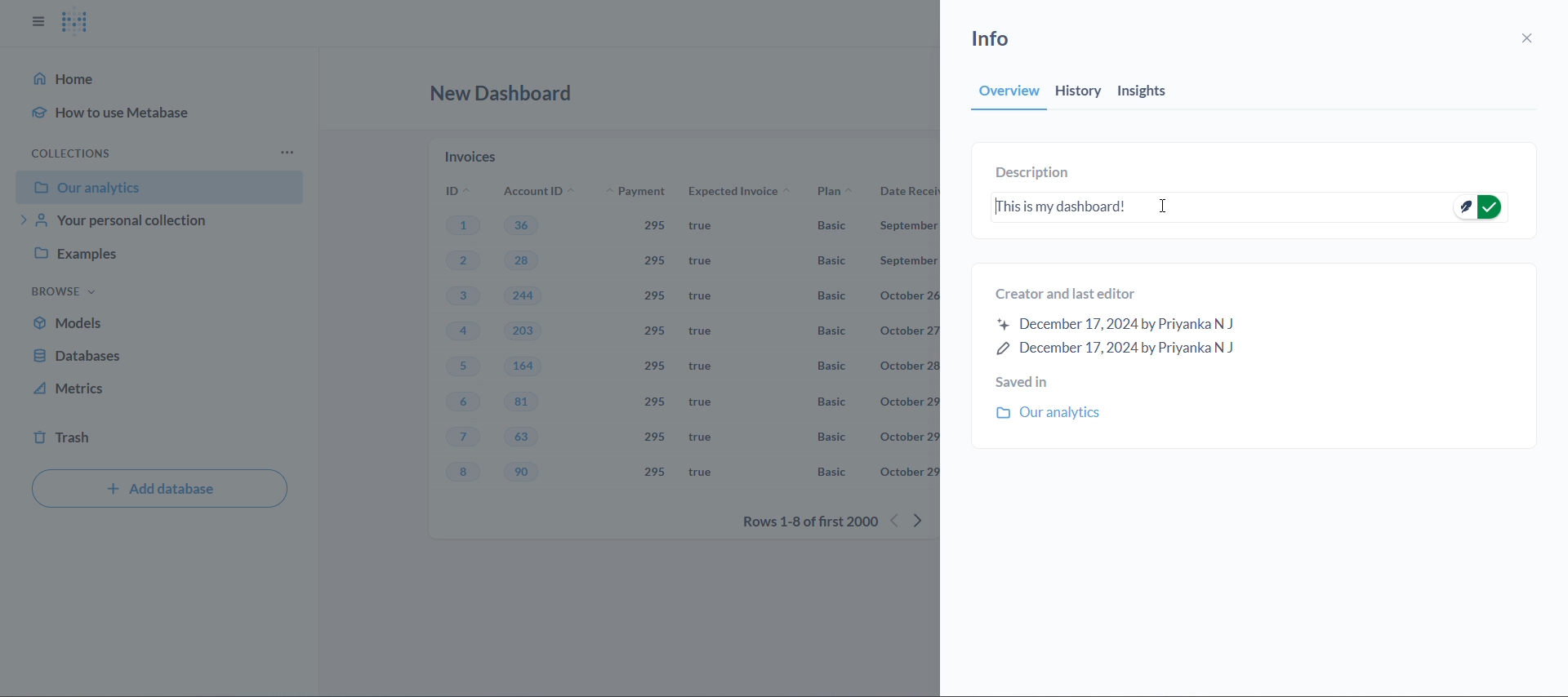 The image size is (1568, 697). What do you see at coordinates (1080, 93) in the screenshot?
I see `history` at bounding box center [1080, 93].